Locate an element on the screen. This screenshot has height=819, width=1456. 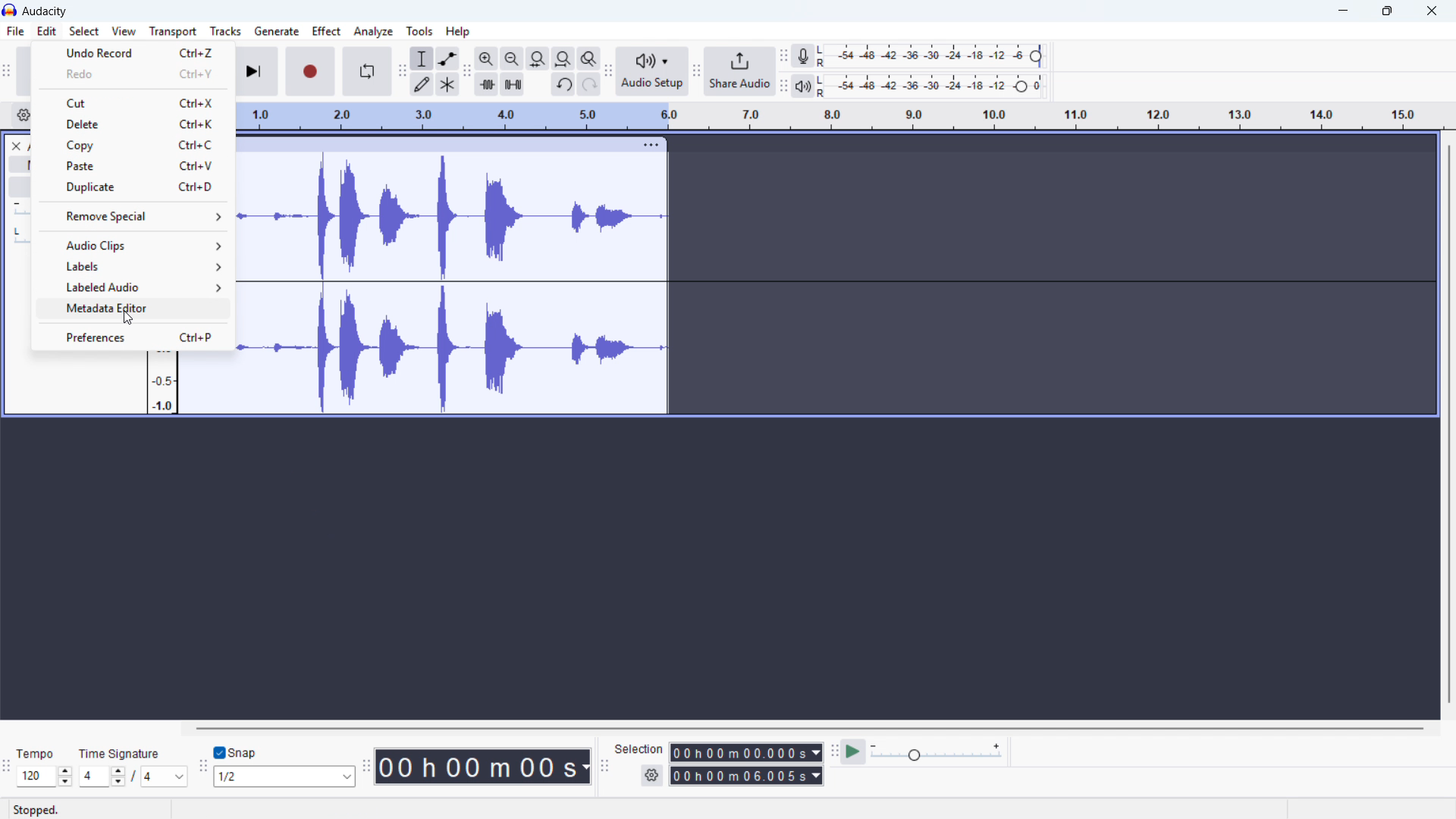
share audio is located at coordinates (741, 71).